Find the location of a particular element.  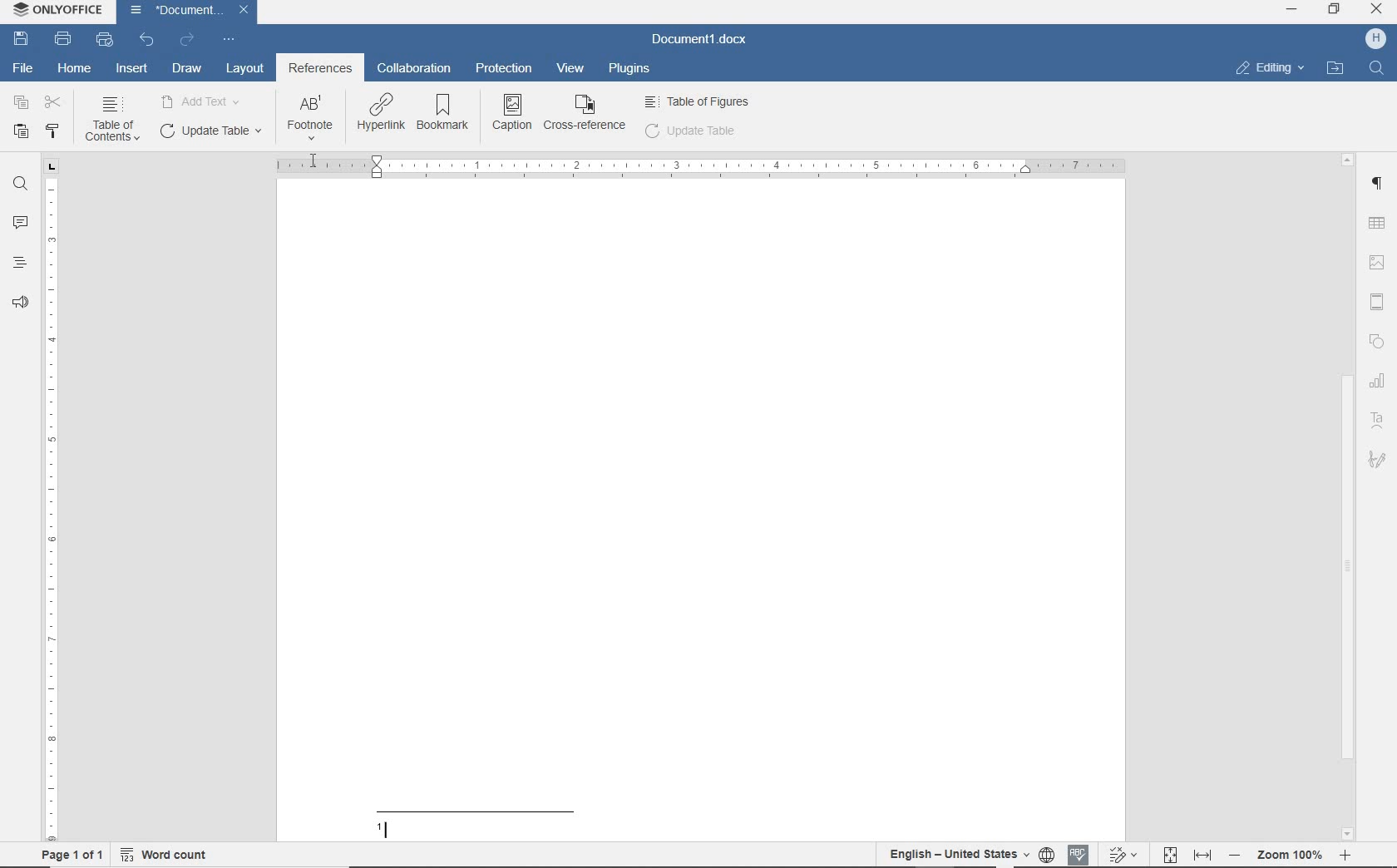

caption is located at coordinates (513, 111).